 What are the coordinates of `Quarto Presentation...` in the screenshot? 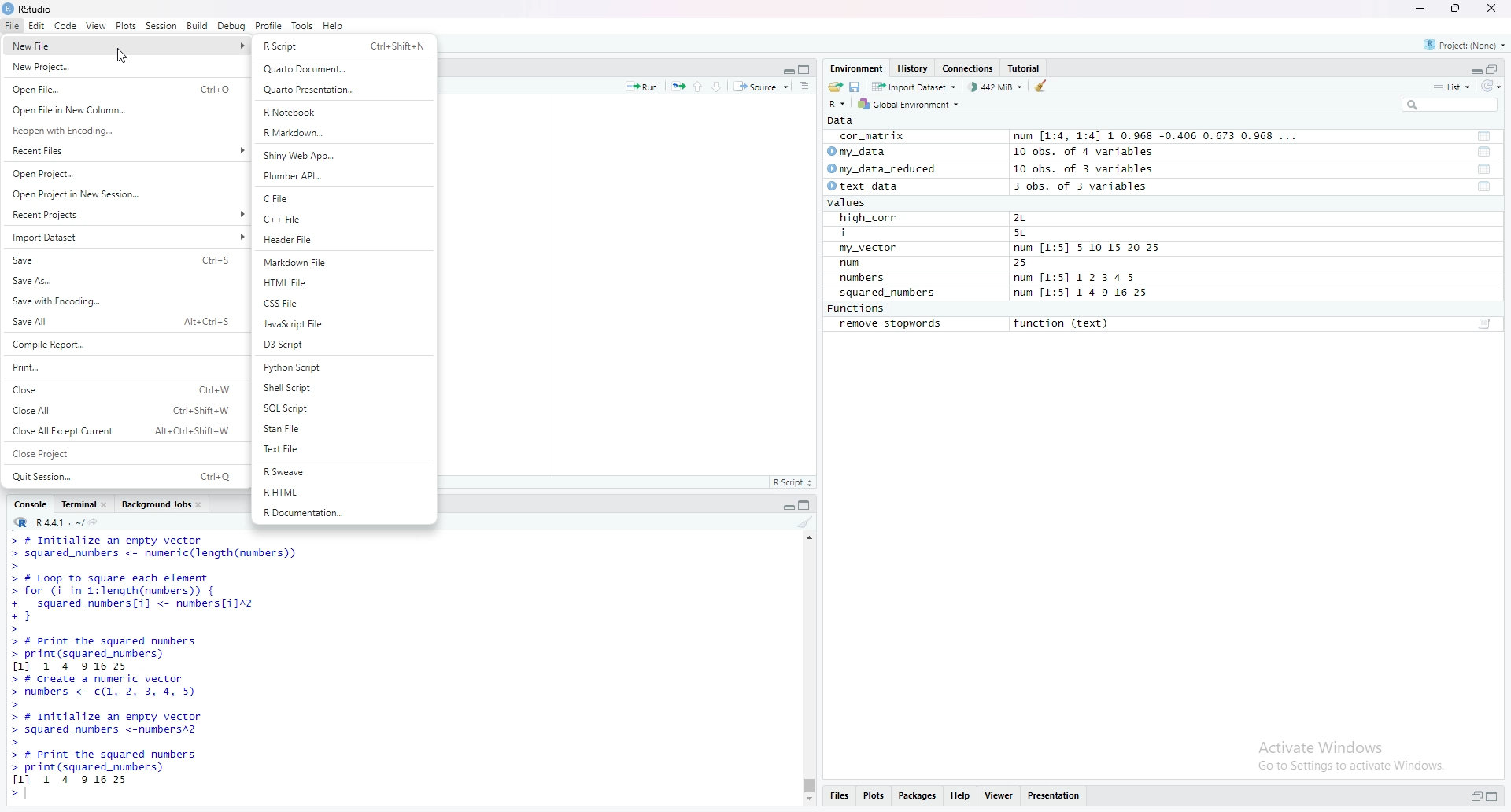 It's located at (342, 90).